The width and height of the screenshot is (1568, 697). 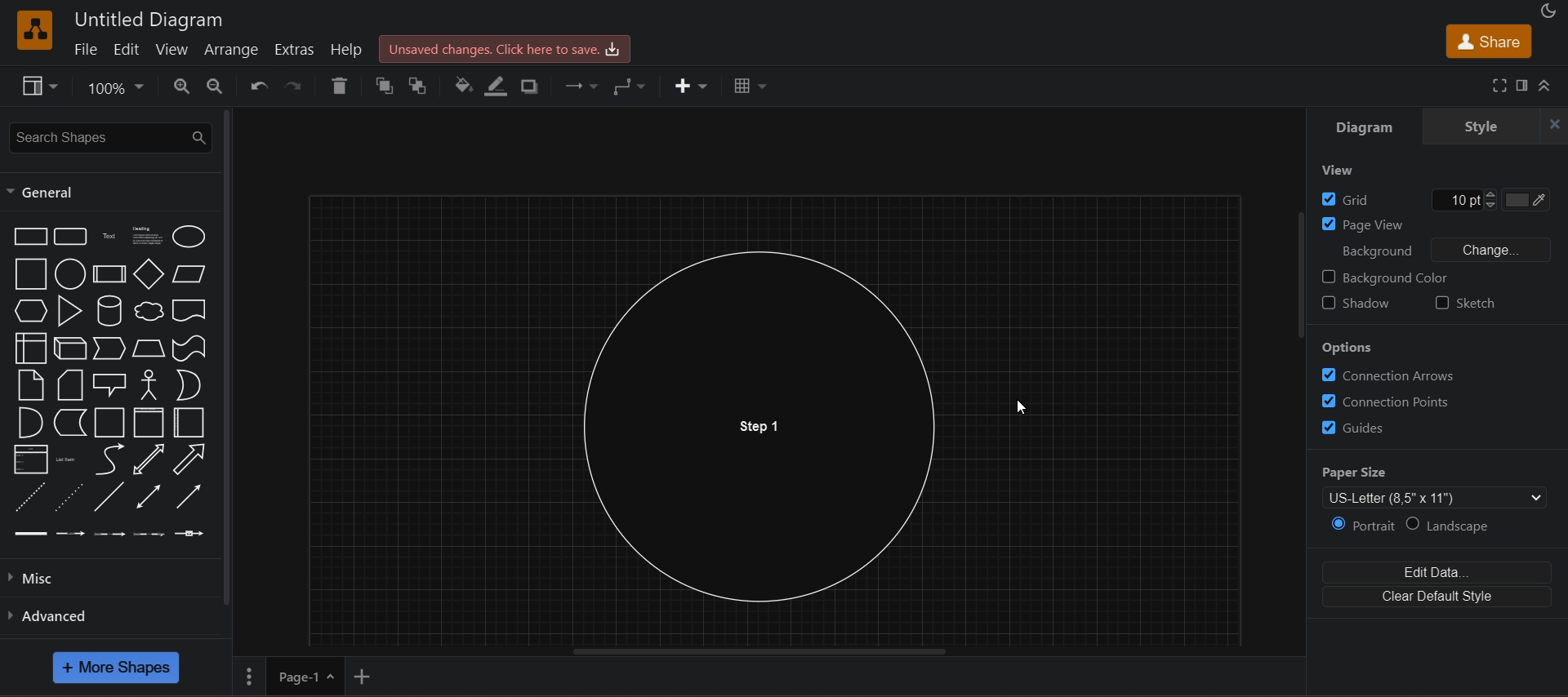 I want to click on redo, so click(x=344, y=85).